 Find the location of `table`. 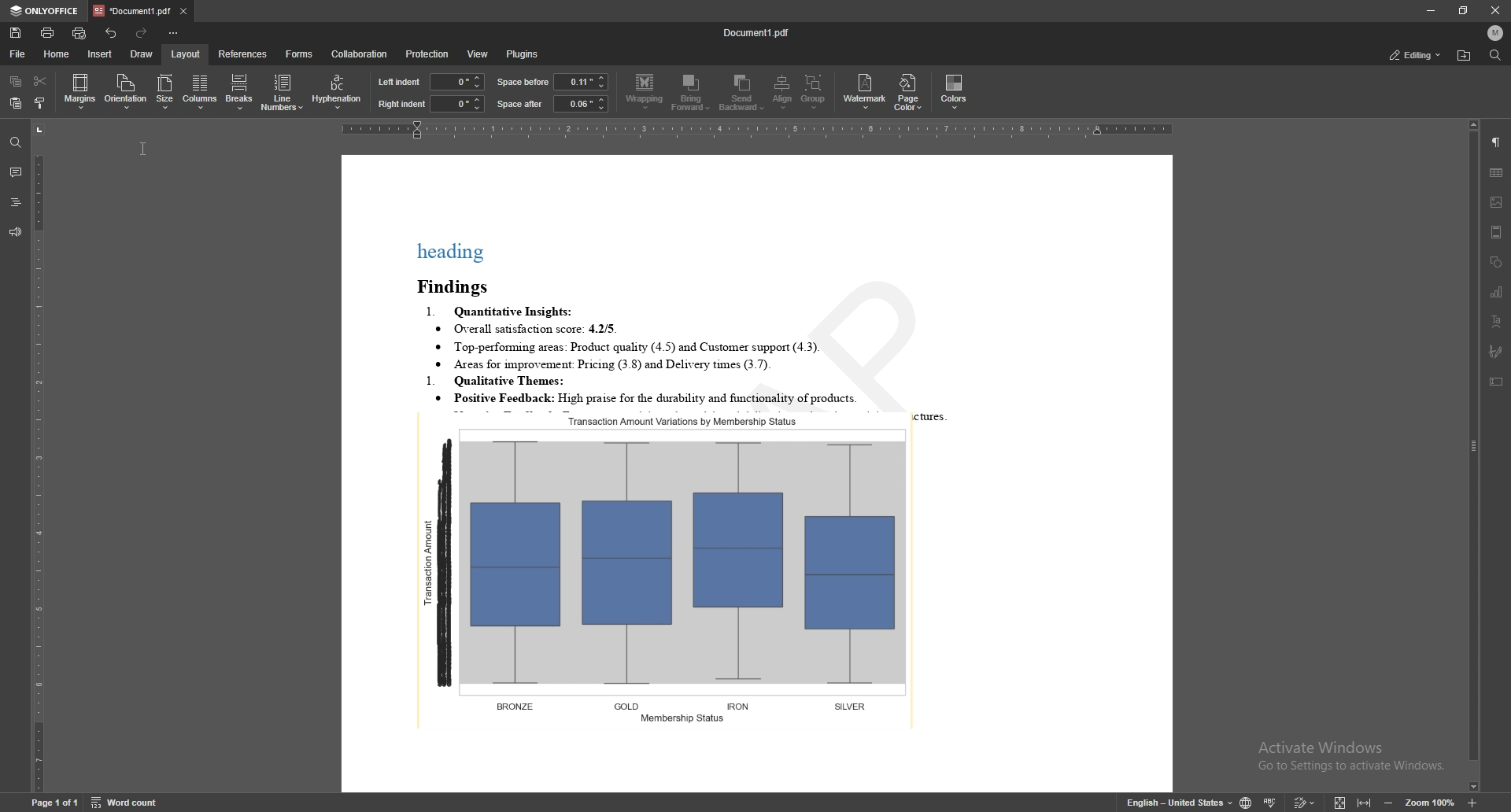

table is located at coordinates (1497, 173).